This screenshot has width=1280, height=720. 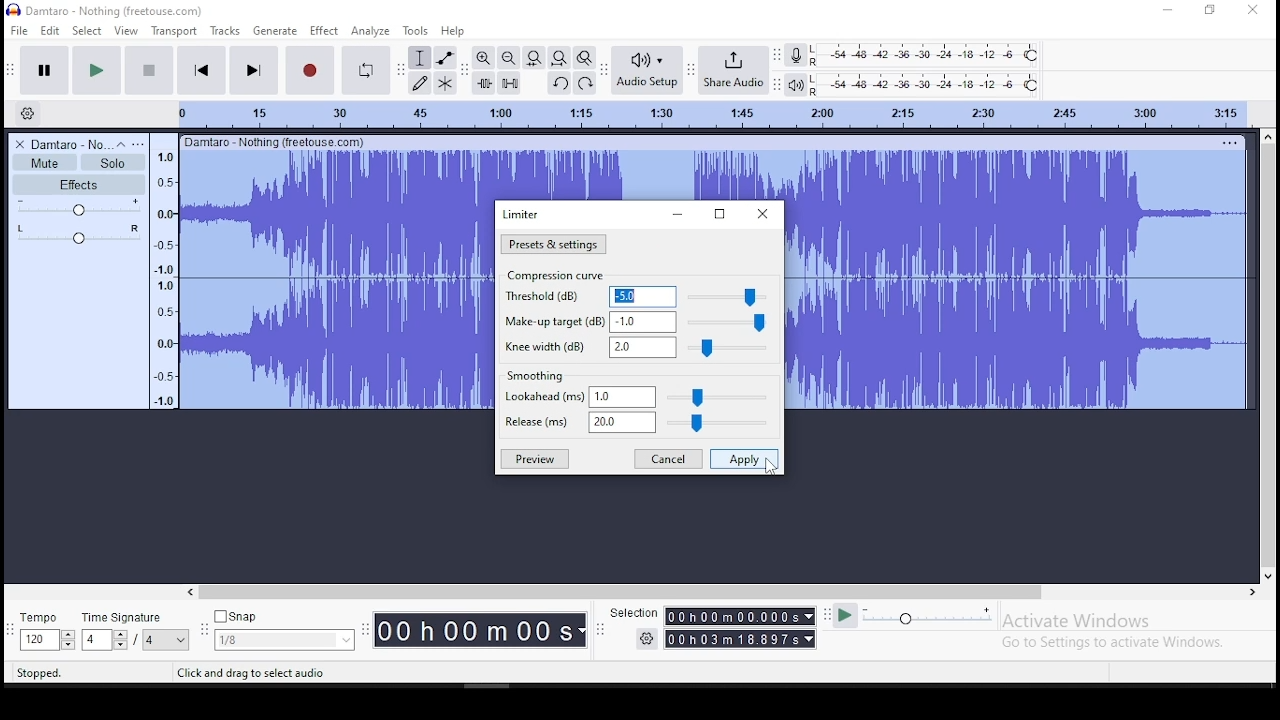 What do you see at coordinates (445, 58) in the screenshot?
I see `envelope tool` at bounding box center [445, 58].